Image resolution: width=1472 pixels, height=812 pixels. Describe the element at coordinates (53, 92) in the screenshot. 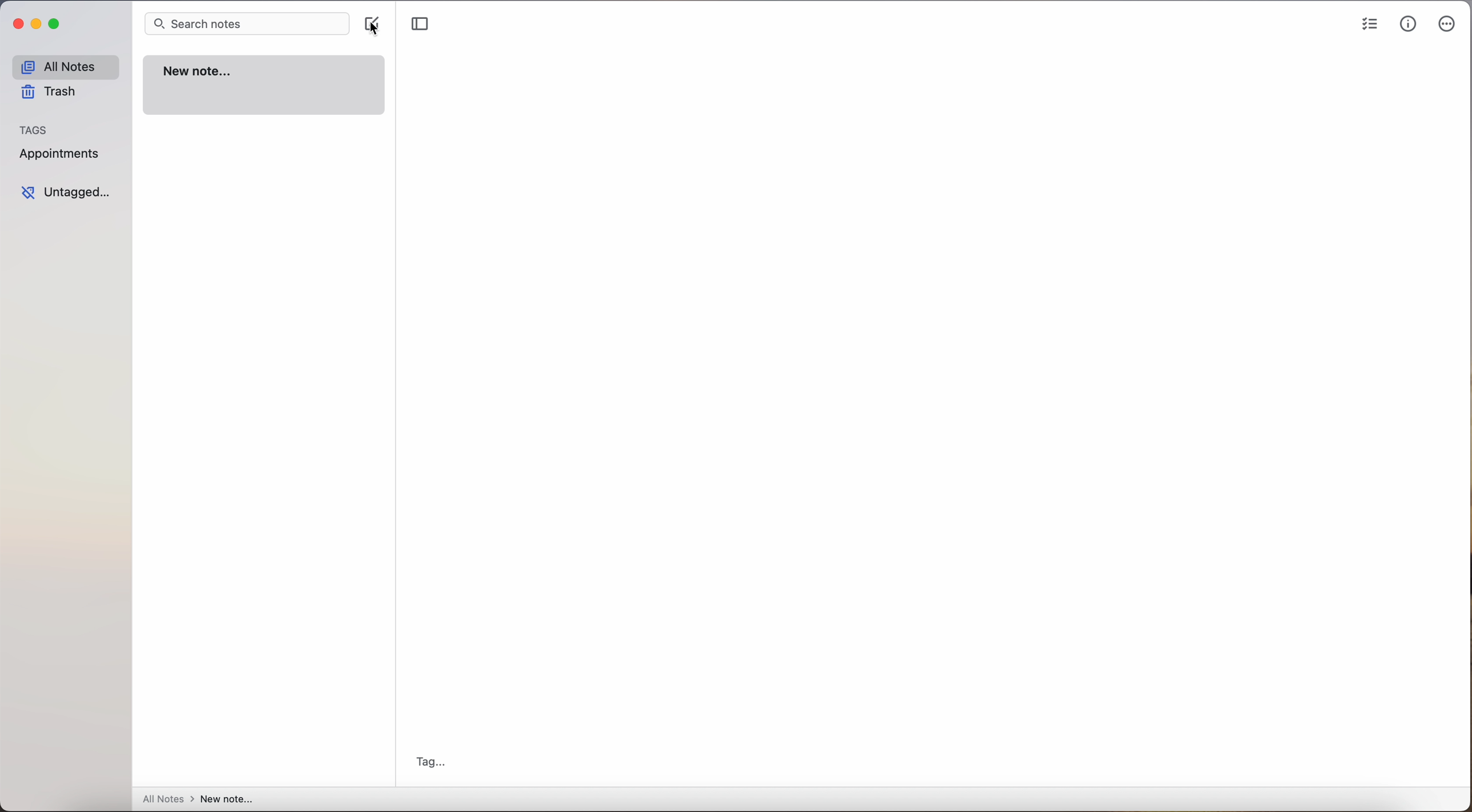

I see `trash` at that location.